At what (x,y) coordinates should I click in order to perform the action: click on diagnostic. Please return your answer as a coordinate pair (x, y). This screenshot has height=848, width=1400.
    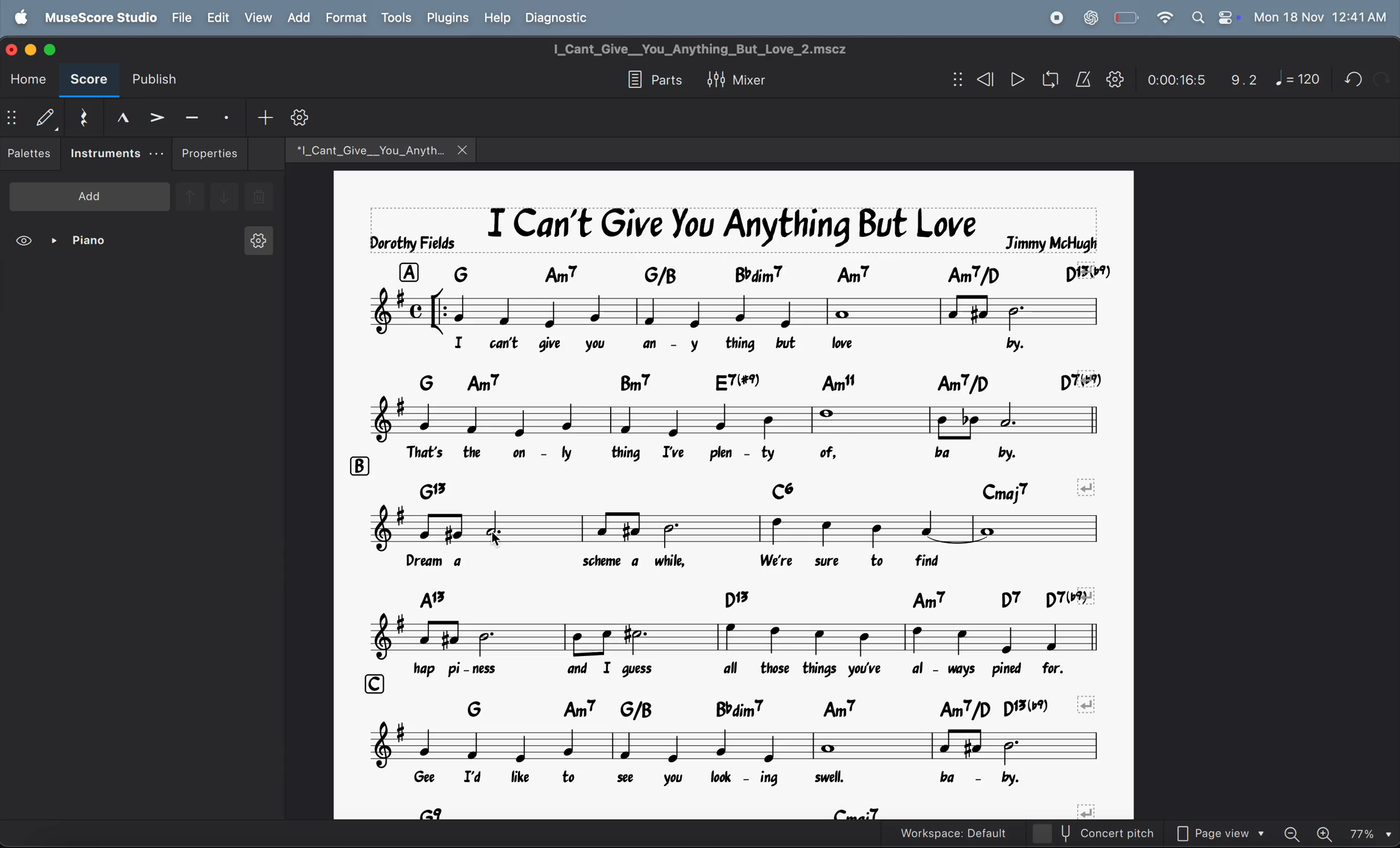
    Looking at the image, I should click on (562, 19).